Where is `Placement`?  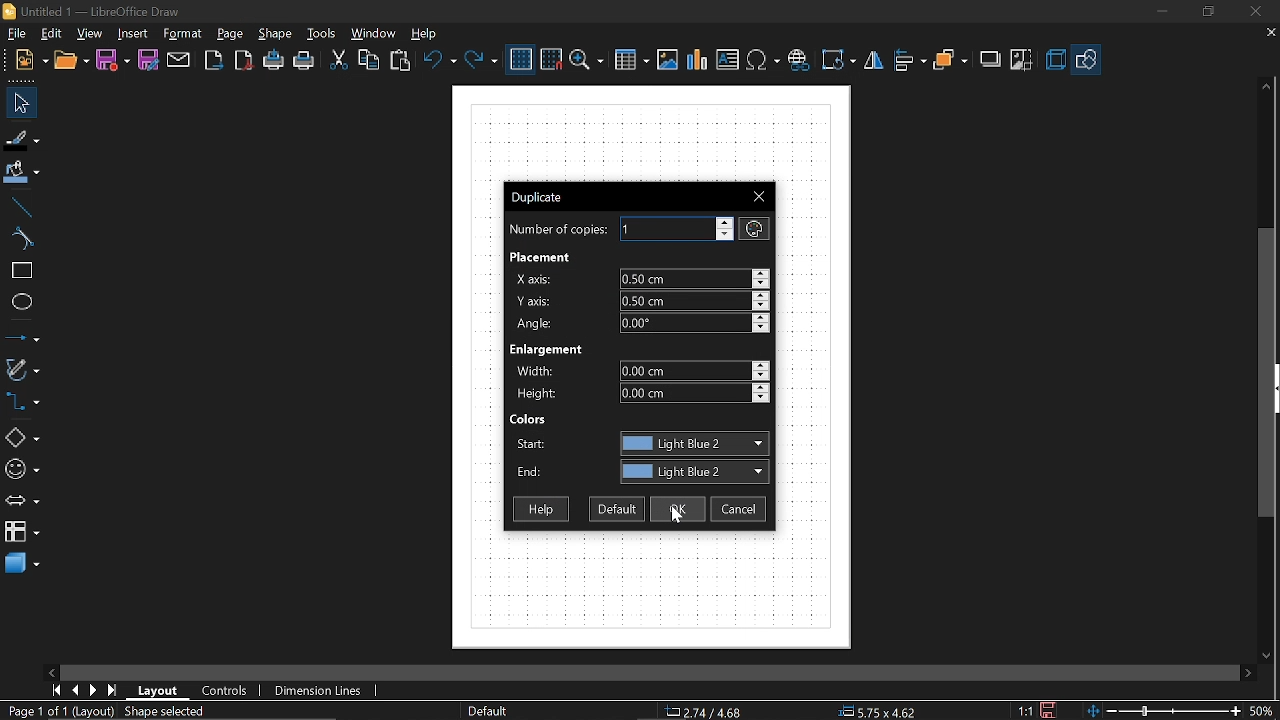
Placement is located at coordinates (542, 257).